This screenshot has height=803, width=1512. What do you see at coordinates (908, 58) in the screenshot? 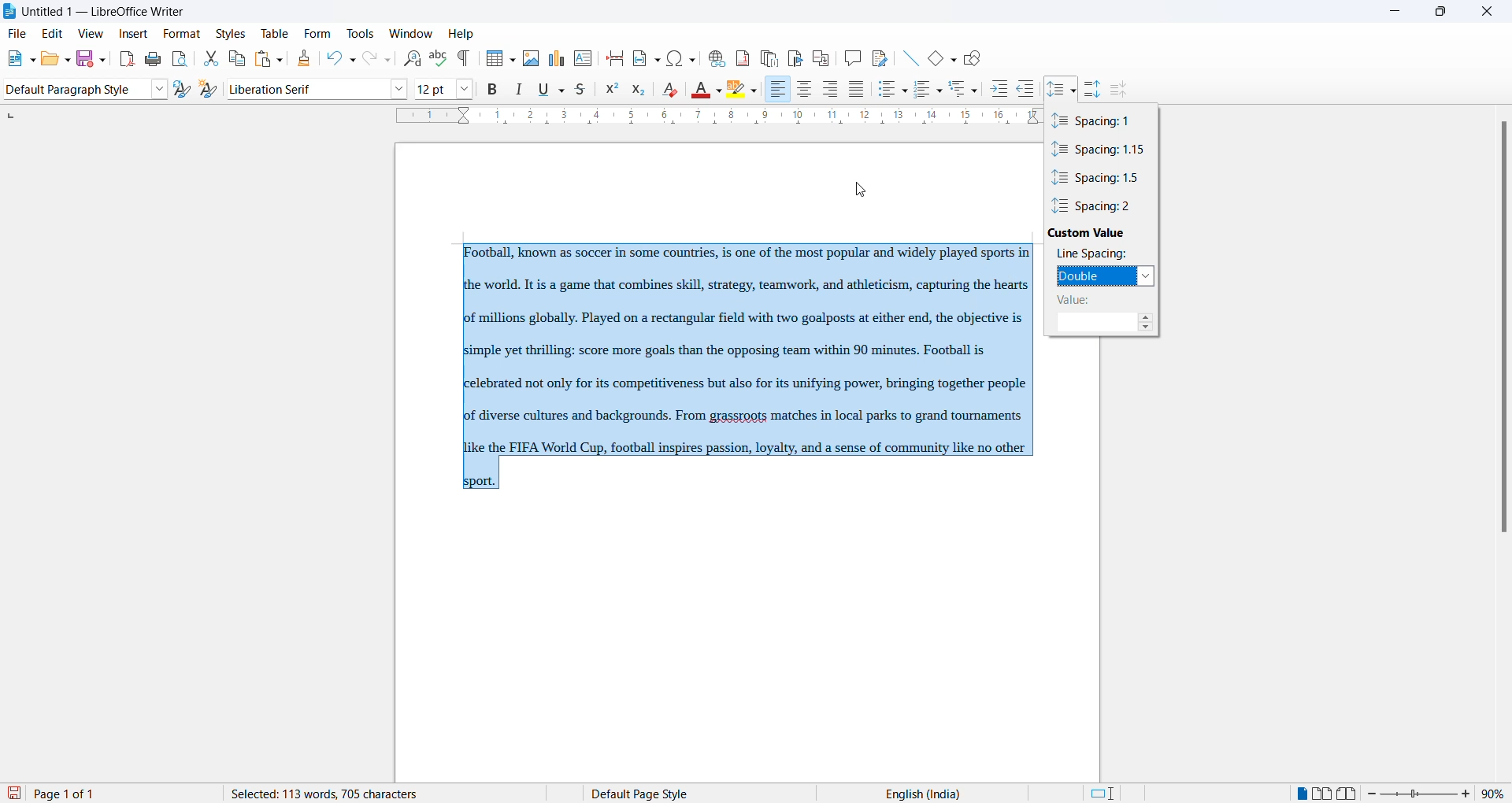
I see `line` at bounding box center [908, 58].